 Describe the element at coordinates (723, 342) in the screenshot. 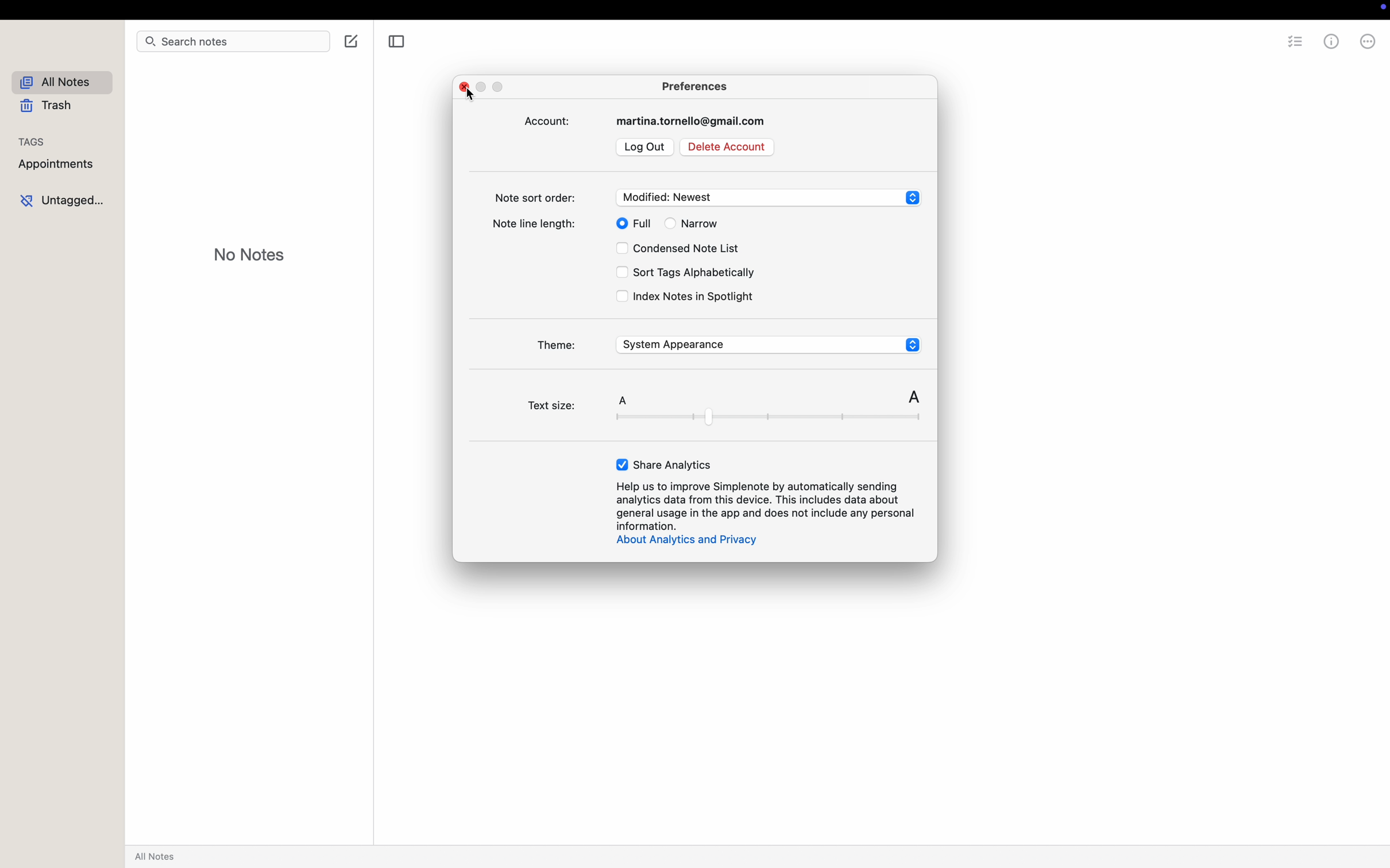

I see `theme` at that location.